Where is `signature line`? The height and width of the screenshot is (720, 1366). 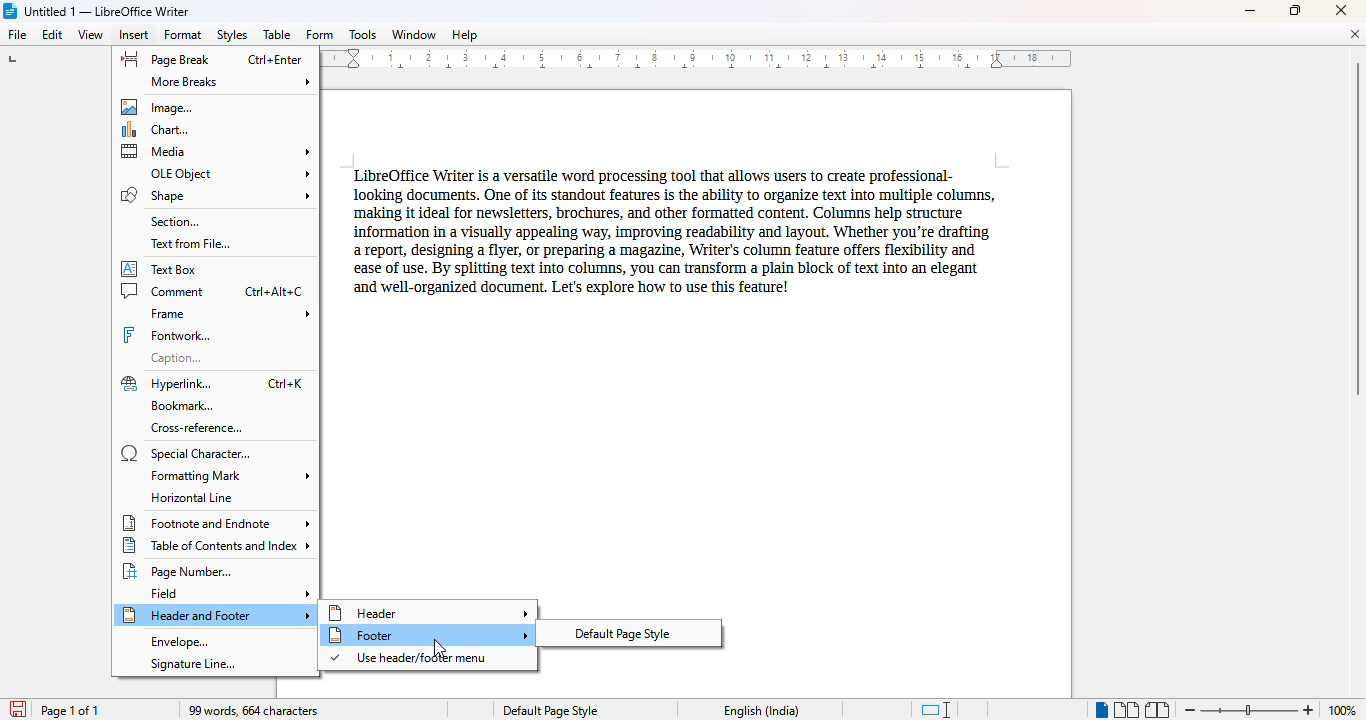
signature line is located at coordinates (192, 664).